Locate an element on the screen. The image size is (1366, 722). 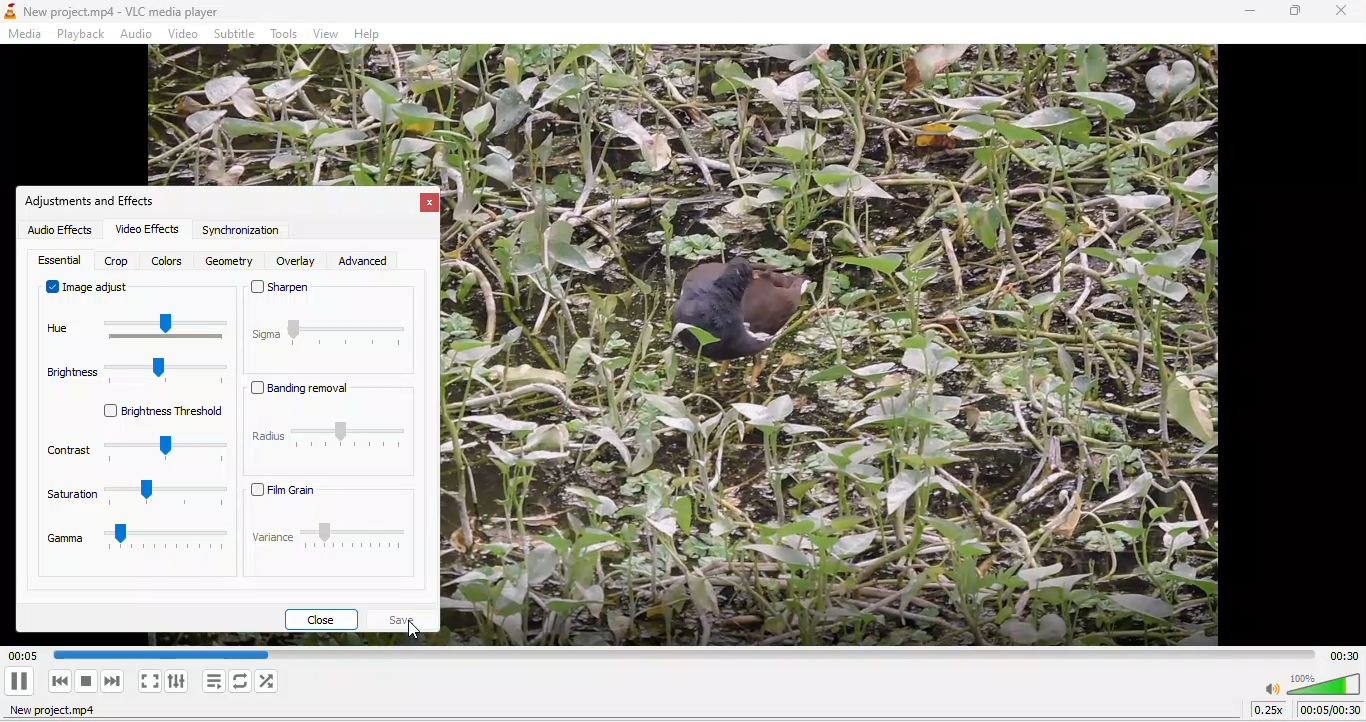
click to toggle between loop all is located at coordinates (240, 685).